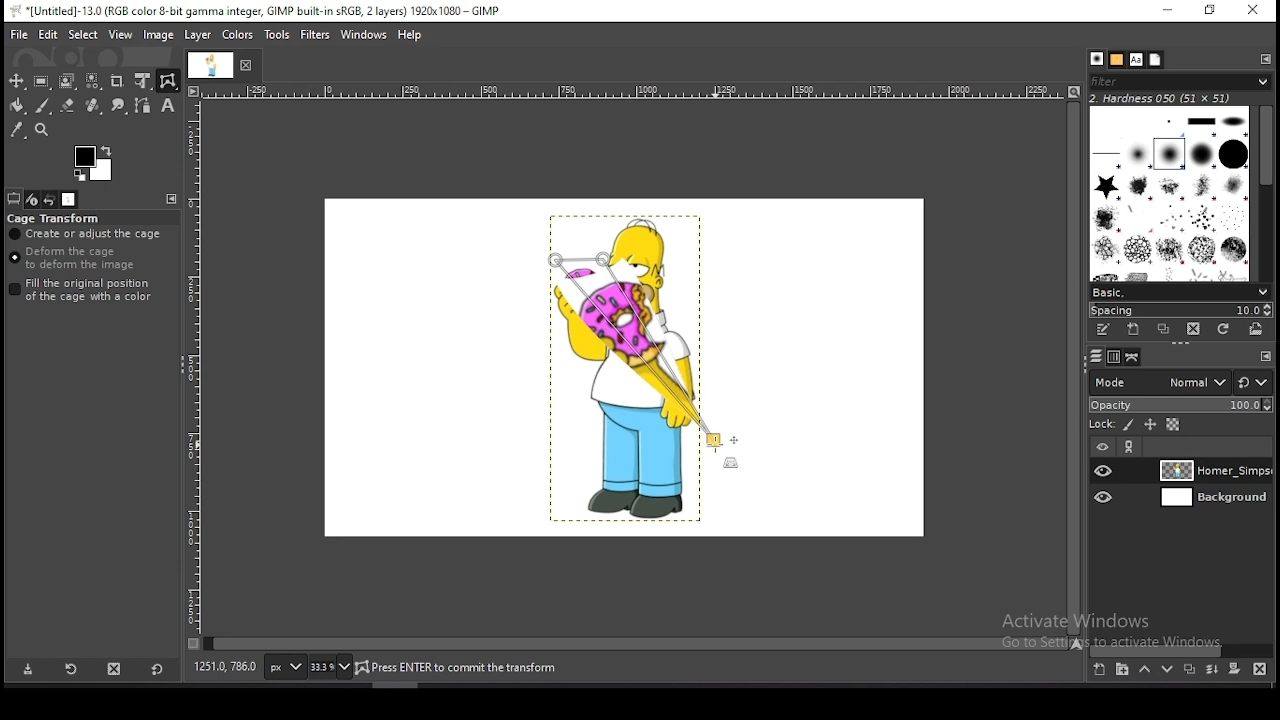  I want to click on opacity, so click(1180, 404).